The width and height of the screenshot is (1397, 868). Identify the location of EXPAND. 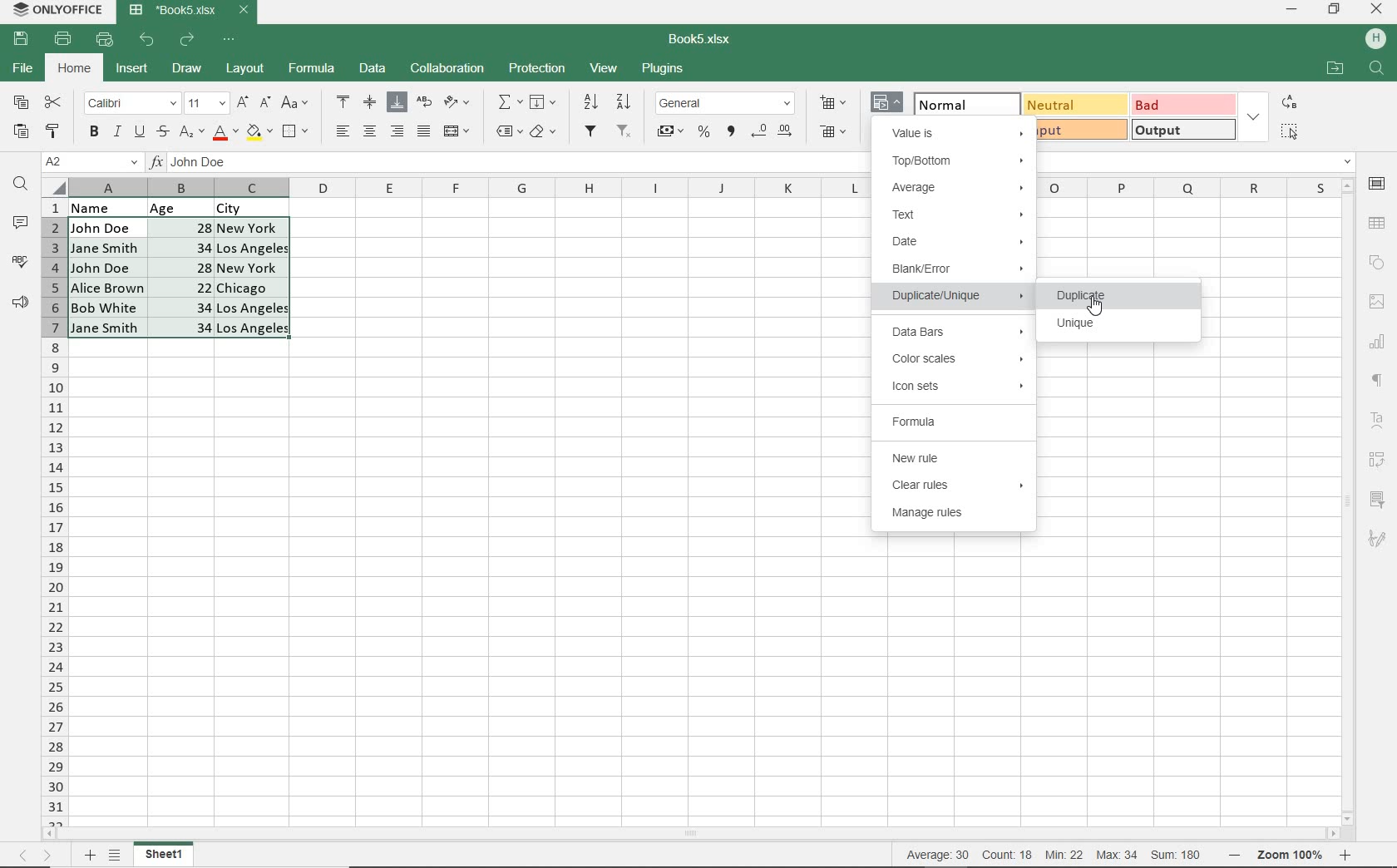
(1253, 116).